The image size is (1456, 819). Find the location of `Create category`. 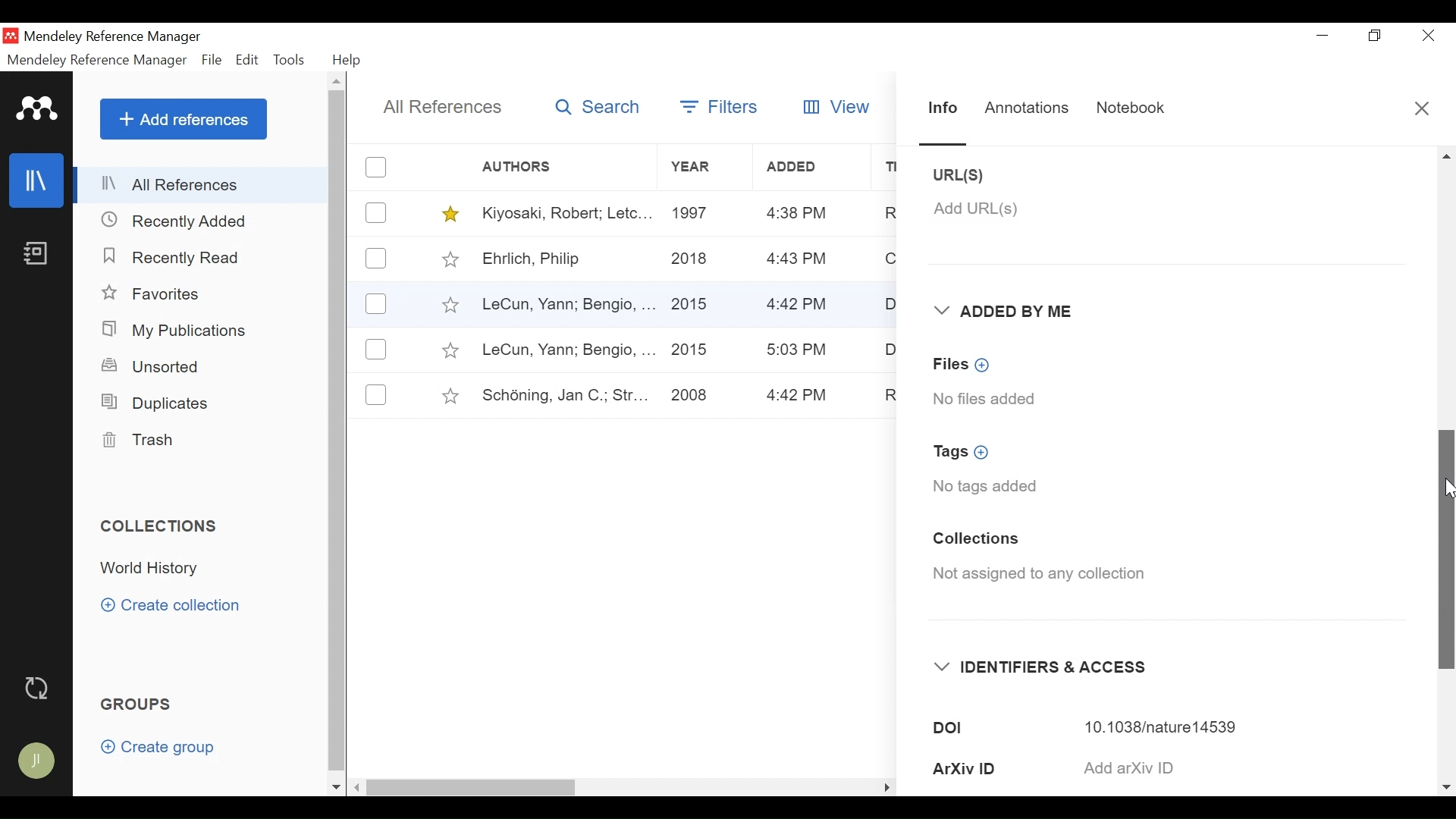

Create category is located at coordinates (172, 604).